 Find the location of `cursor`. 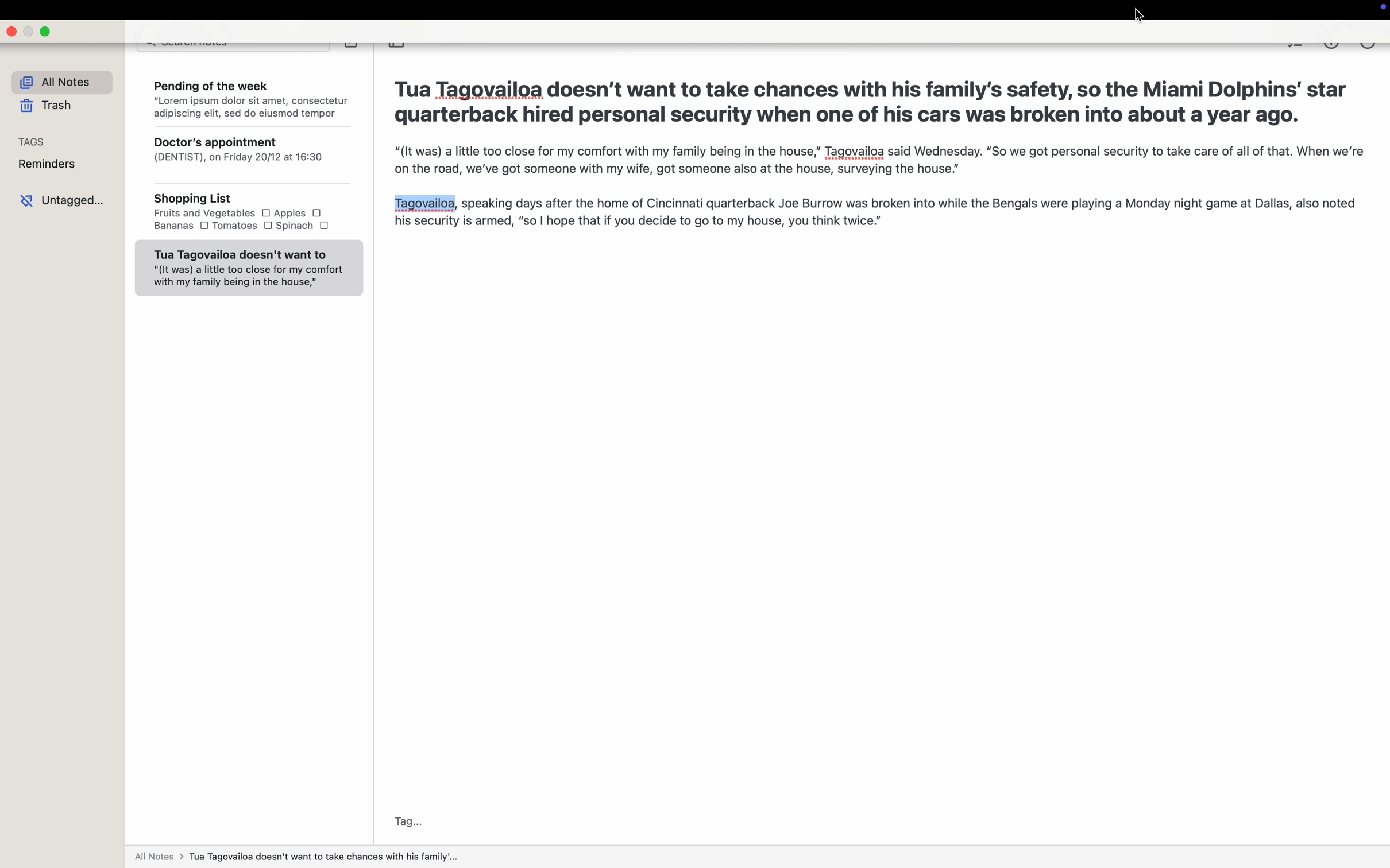

cursor is located at coordinates (1139, 17).